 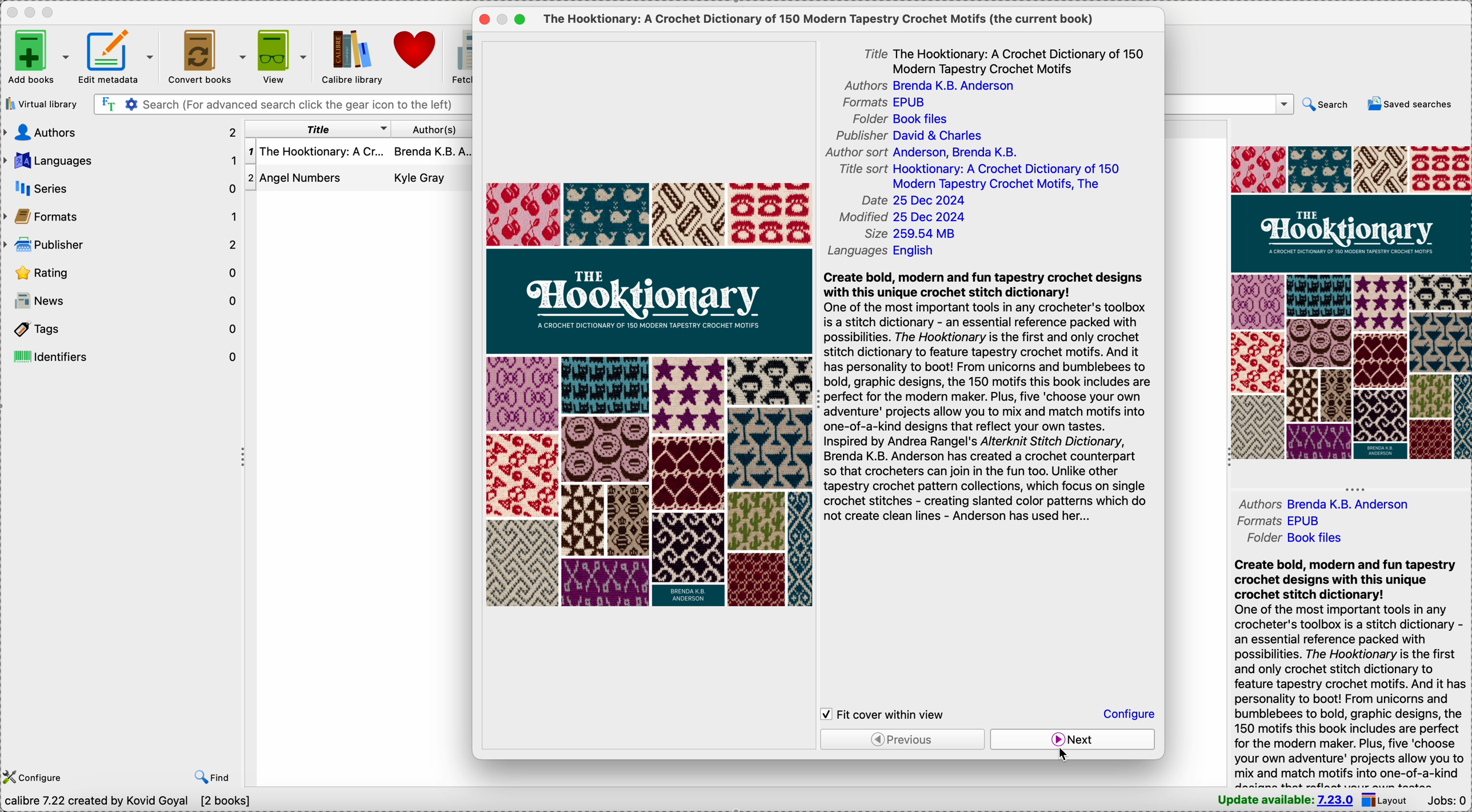 I want to click on maximize, so click(x=520, y=19).